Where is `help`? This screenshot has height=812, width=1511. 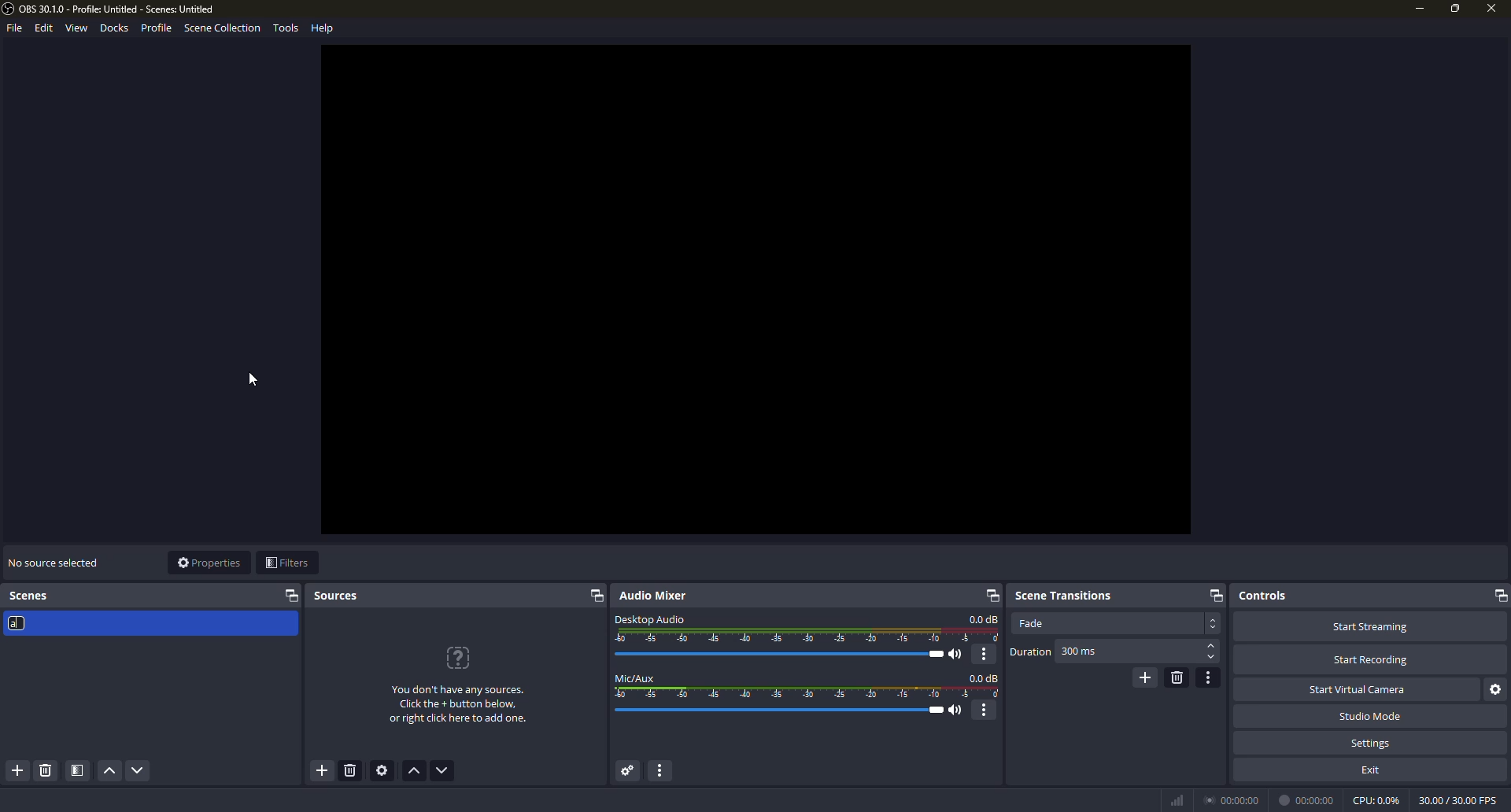 help is located at coordinates (324, 27).